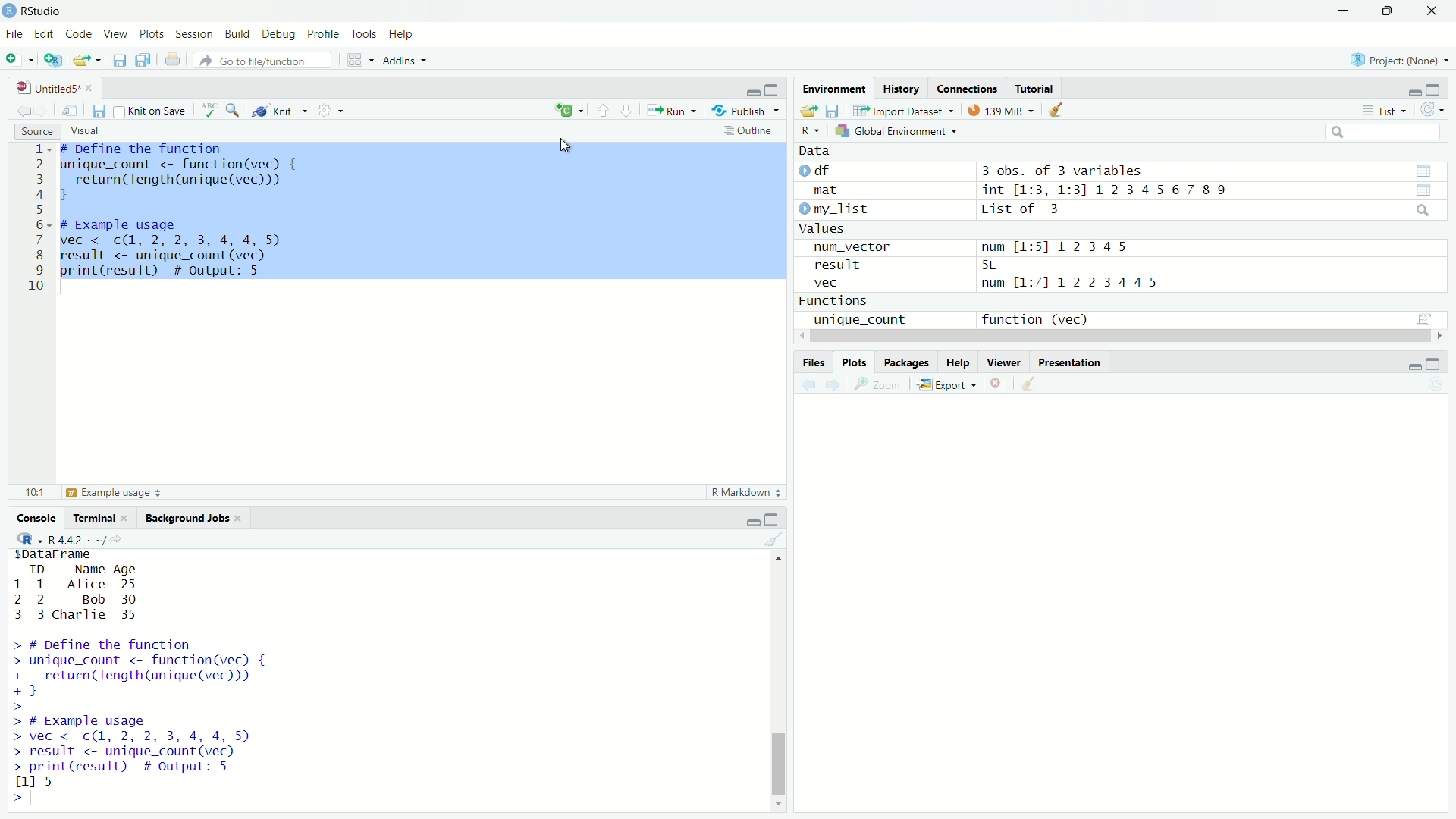  Describe the element at coordinates (51, 86) in the screenshot. I see `untitled5` at that location.